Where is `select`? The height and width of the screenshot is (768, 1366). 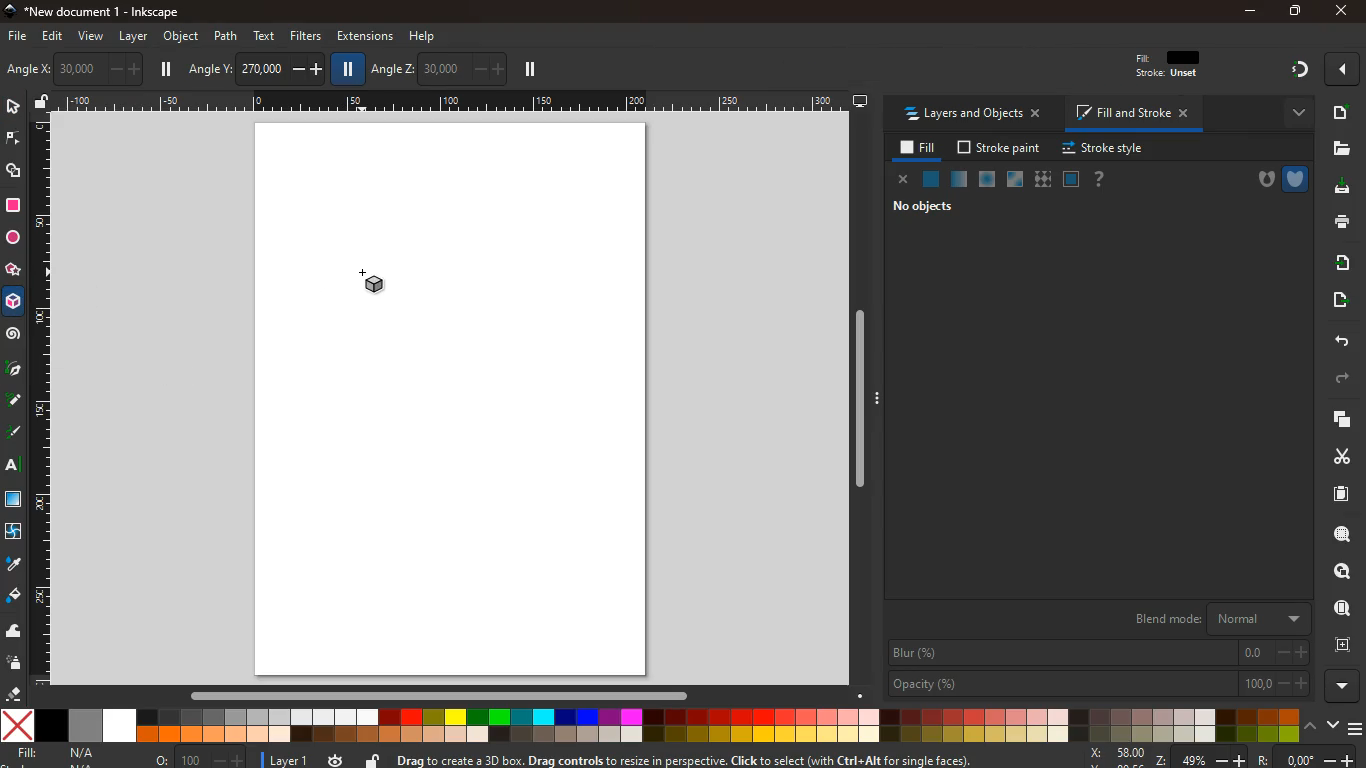
select is located at coordinates (12, 108).